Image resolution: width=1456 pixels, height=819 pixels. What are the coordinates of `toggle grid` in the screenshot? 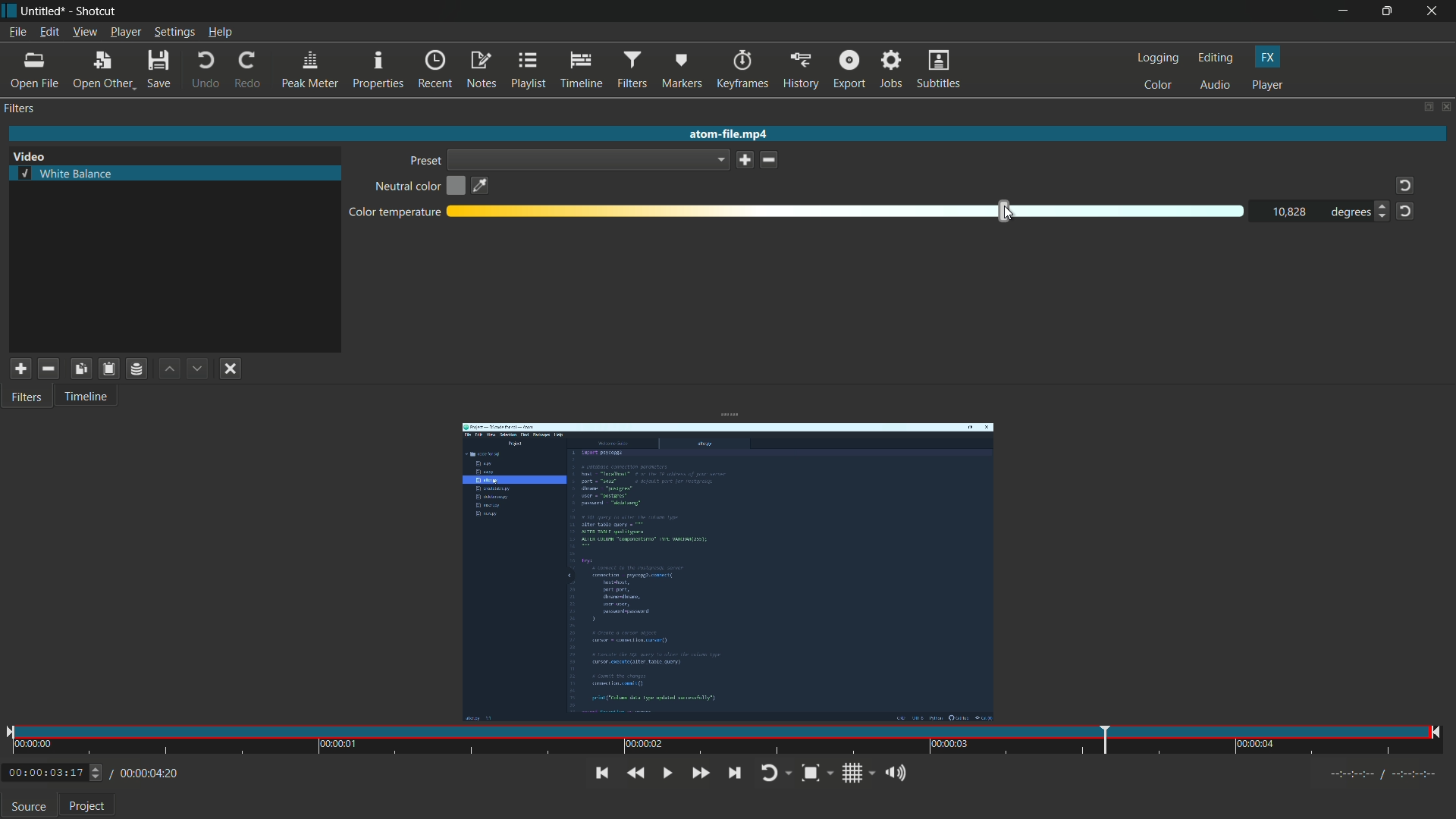 It's located at (858, 773).